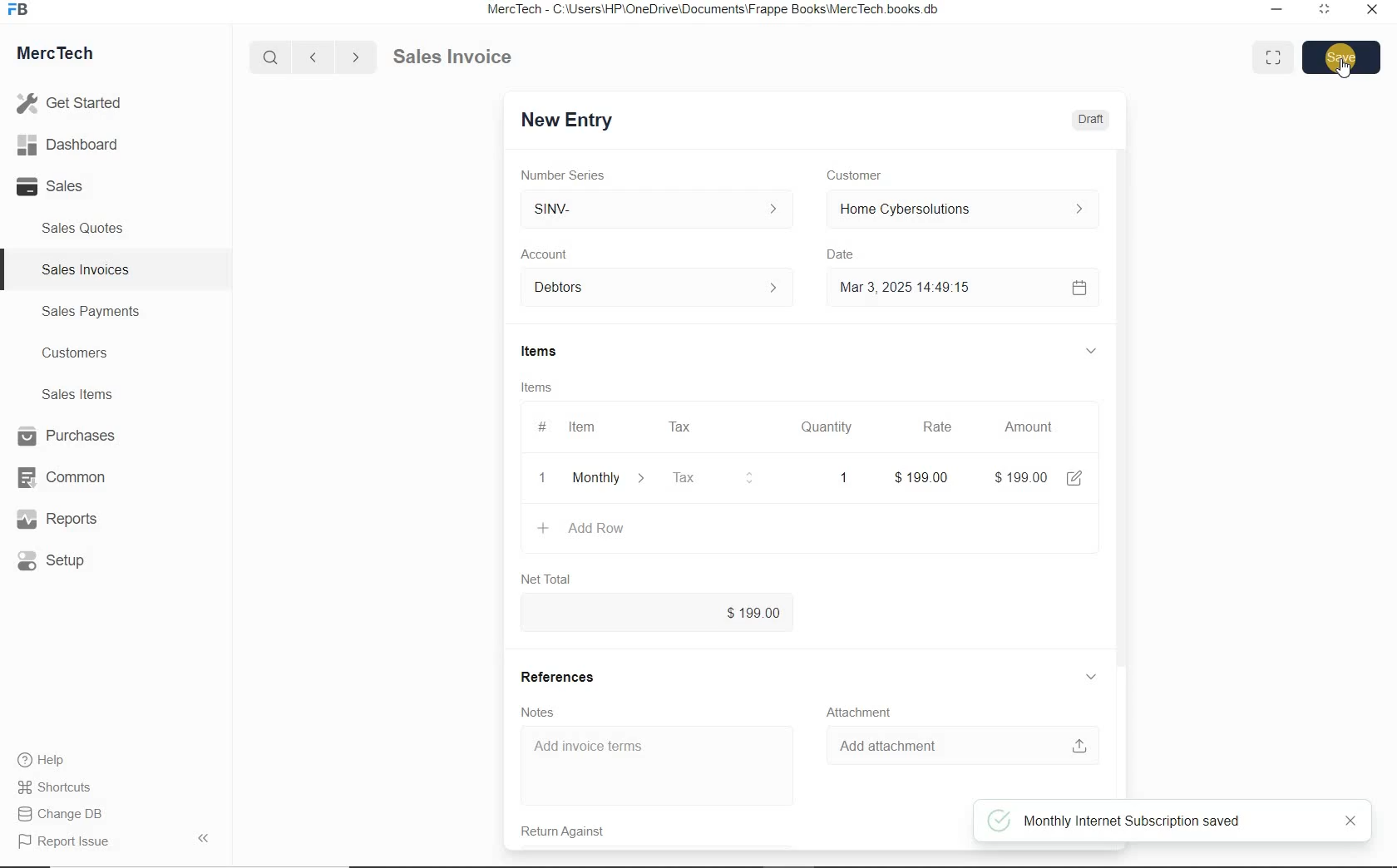 This screenshot has height=868, width=1397. What do you see at coordinates (69, 437) in the screenshot?
I see `Purchases` at bounding box center [69, 437].